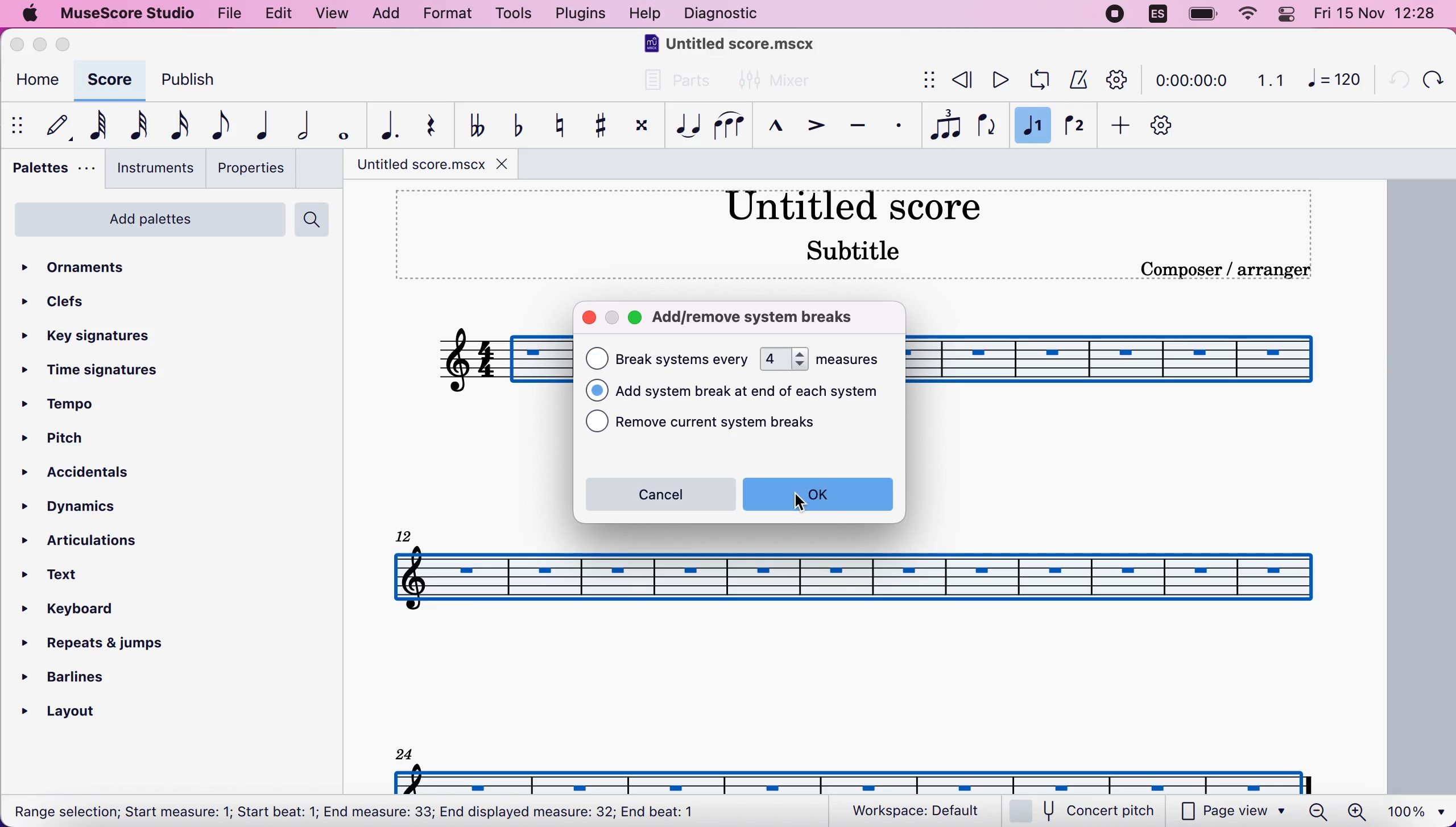 The width and height of the screenshot is (1456, 827). What do you see at coordinates (855, 577) in the screenshot?
I see `score` at bounding box center [855, 577].